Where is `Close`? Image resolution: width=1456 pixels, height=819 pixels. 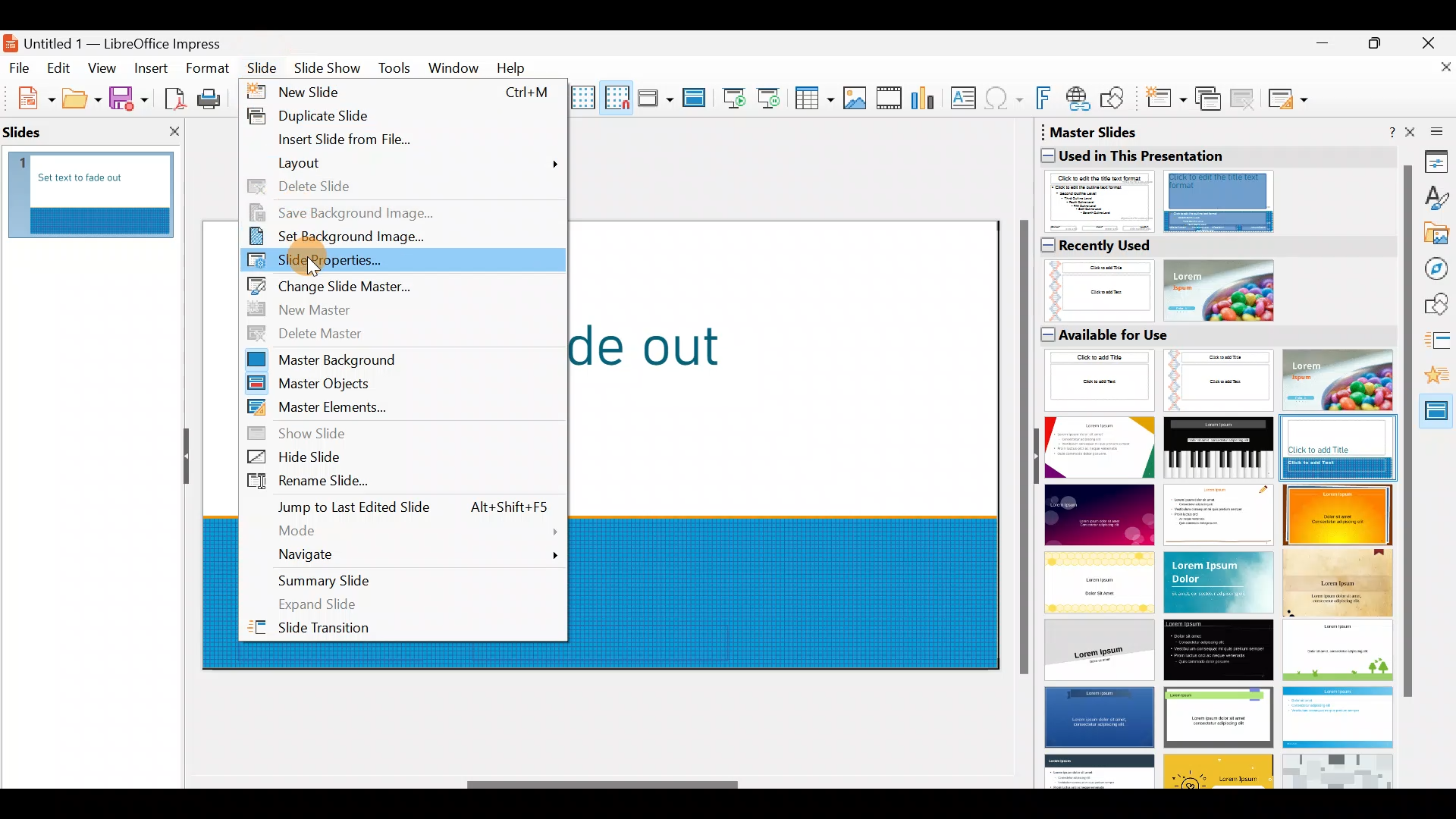 Close is located at coordinates (1434, 41).